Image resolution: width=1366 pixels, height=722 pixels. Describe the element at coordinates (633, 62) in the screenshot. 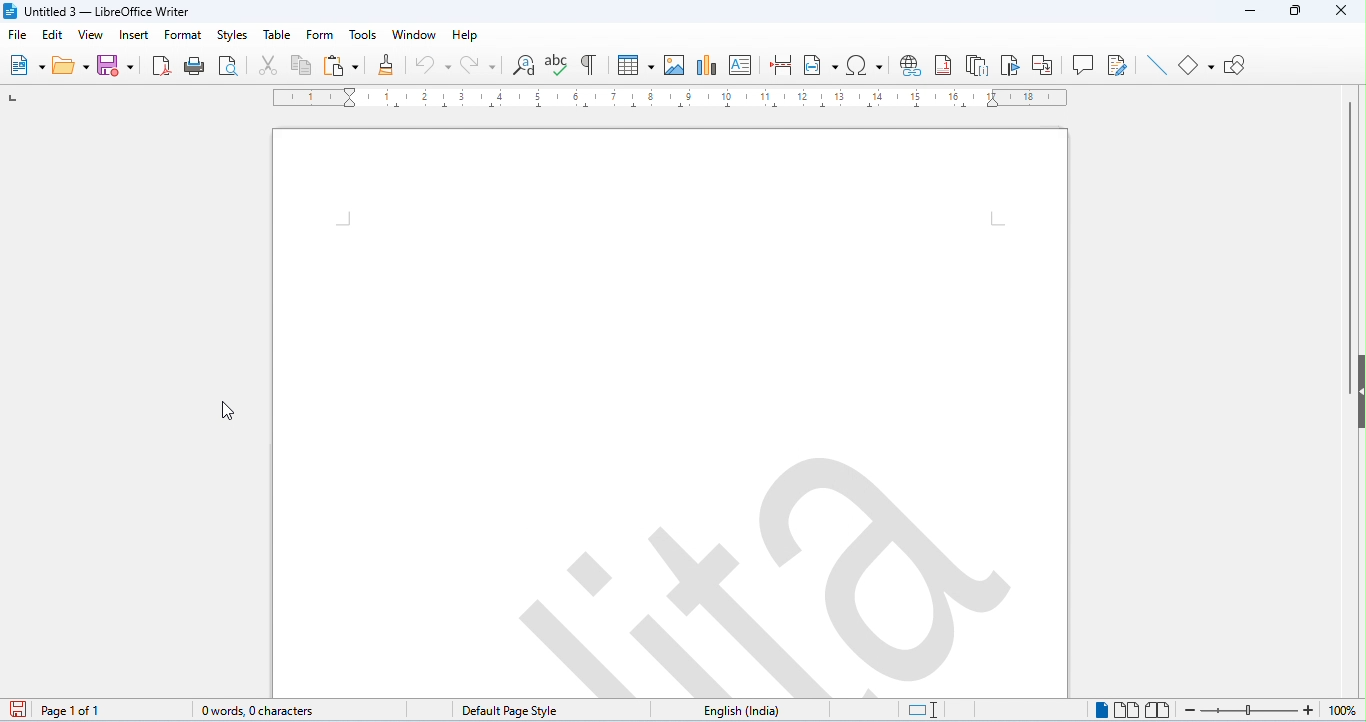

I see `table insert` at that location.